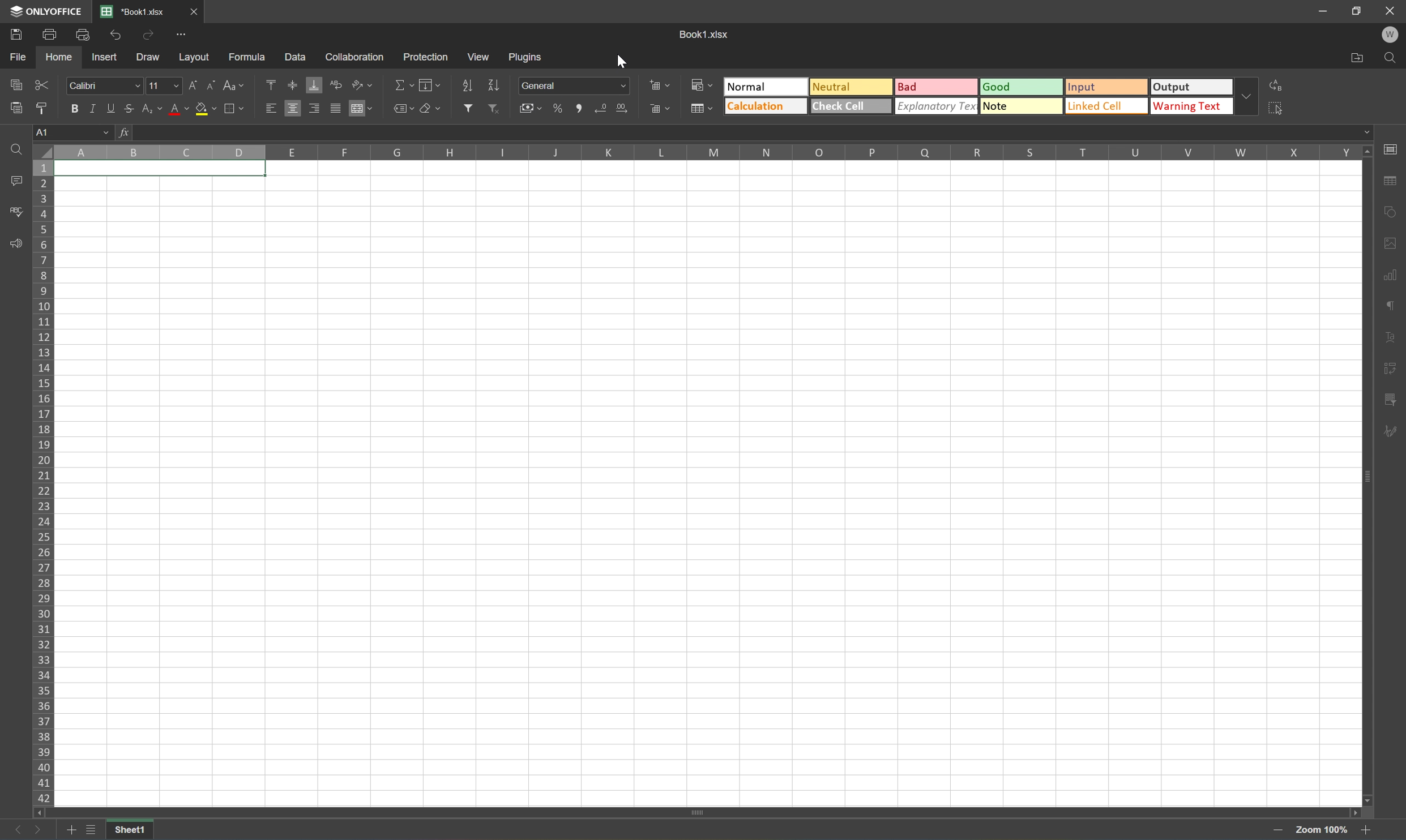 Image resolution: width=1406 pixels, height=840 pixels. Describe the element at coordinates (293, 85) in the screenshot. I see `Align middle` at that location.